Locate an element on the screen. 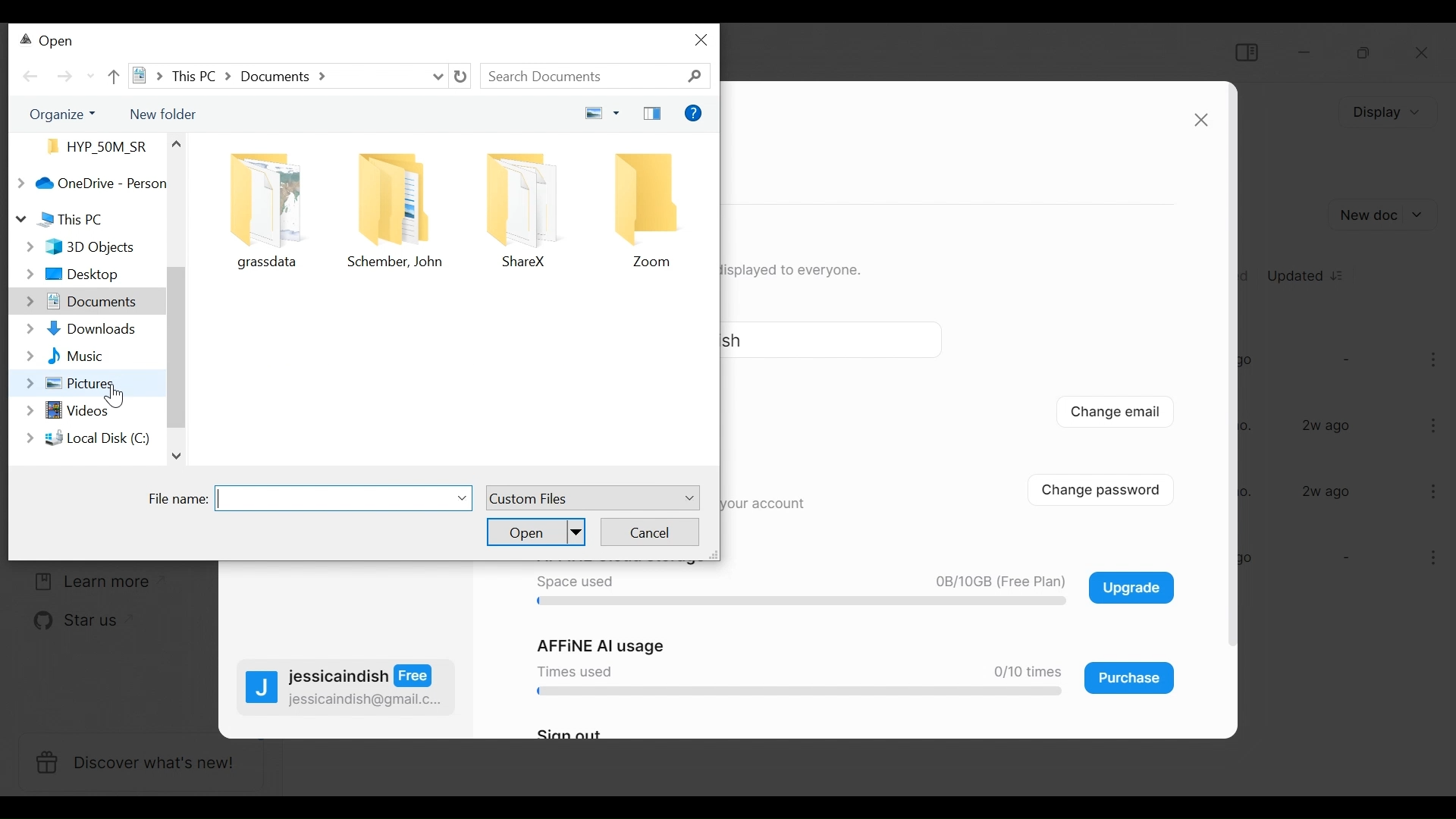 This screenshot has height=819, width=1456. Videos is located at coordinates (66, 414).